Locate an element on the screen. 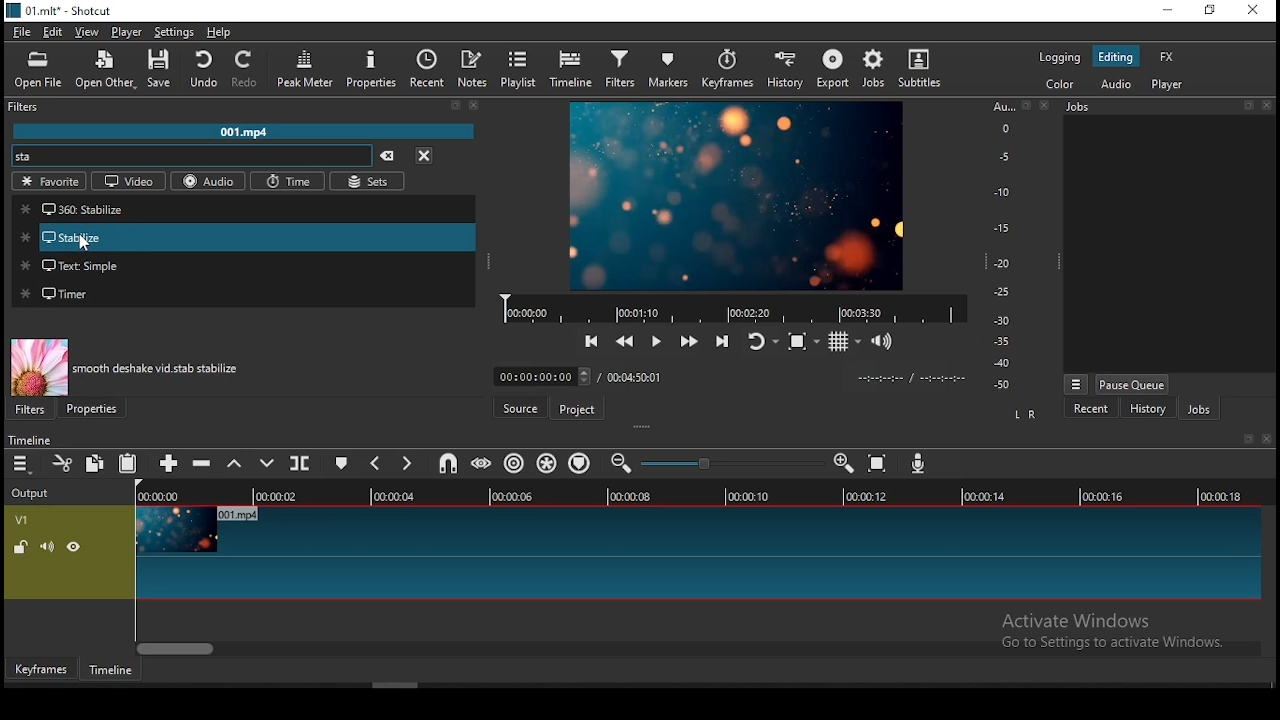 Image resolution: width=1280 pixels, height=720 pixels. Properties is located at coordinates (373, 70).